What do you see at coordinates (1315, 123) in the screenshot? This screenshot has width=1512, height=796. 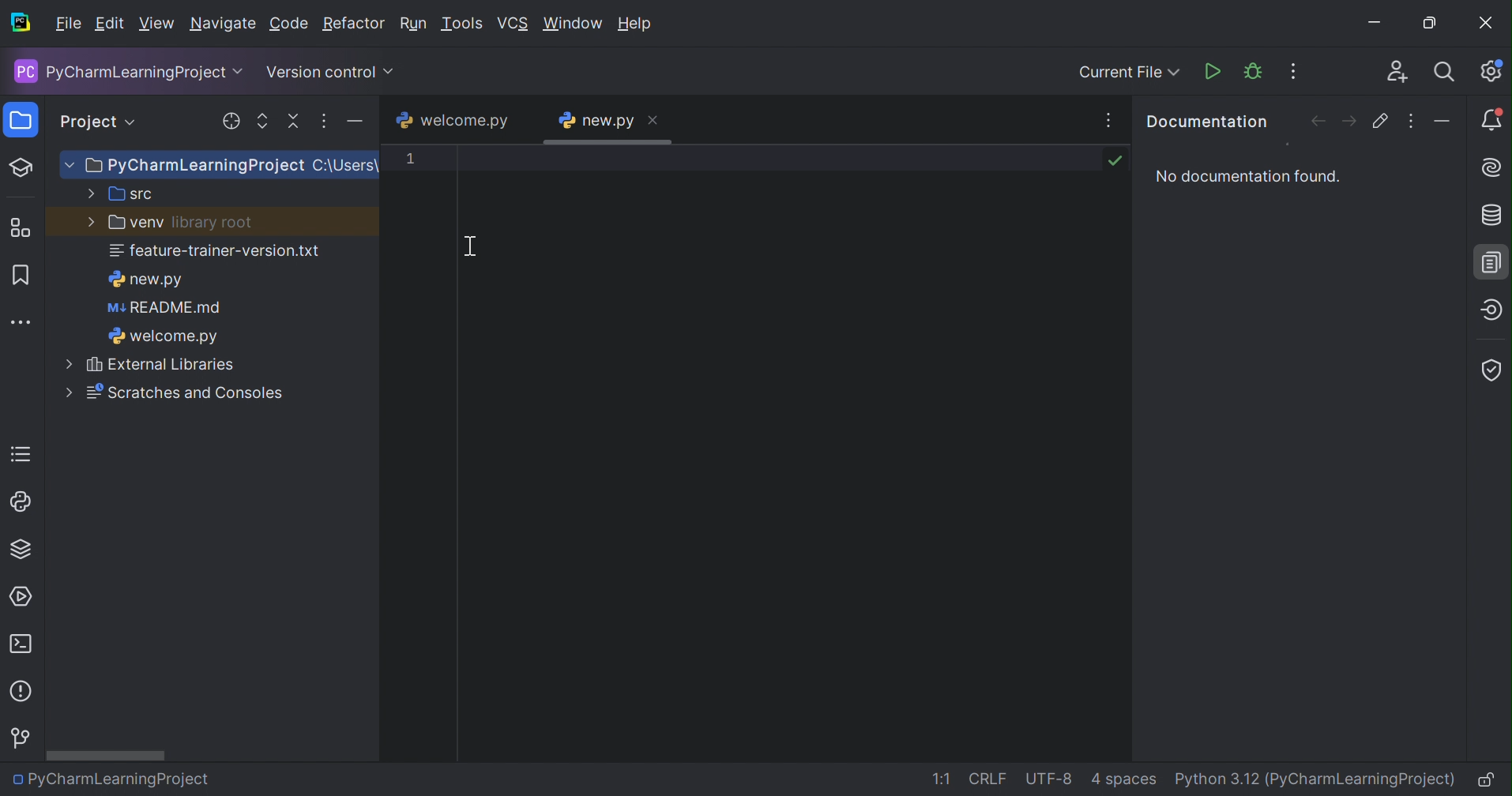 I see `Back` at bounding box center [1315, 123].